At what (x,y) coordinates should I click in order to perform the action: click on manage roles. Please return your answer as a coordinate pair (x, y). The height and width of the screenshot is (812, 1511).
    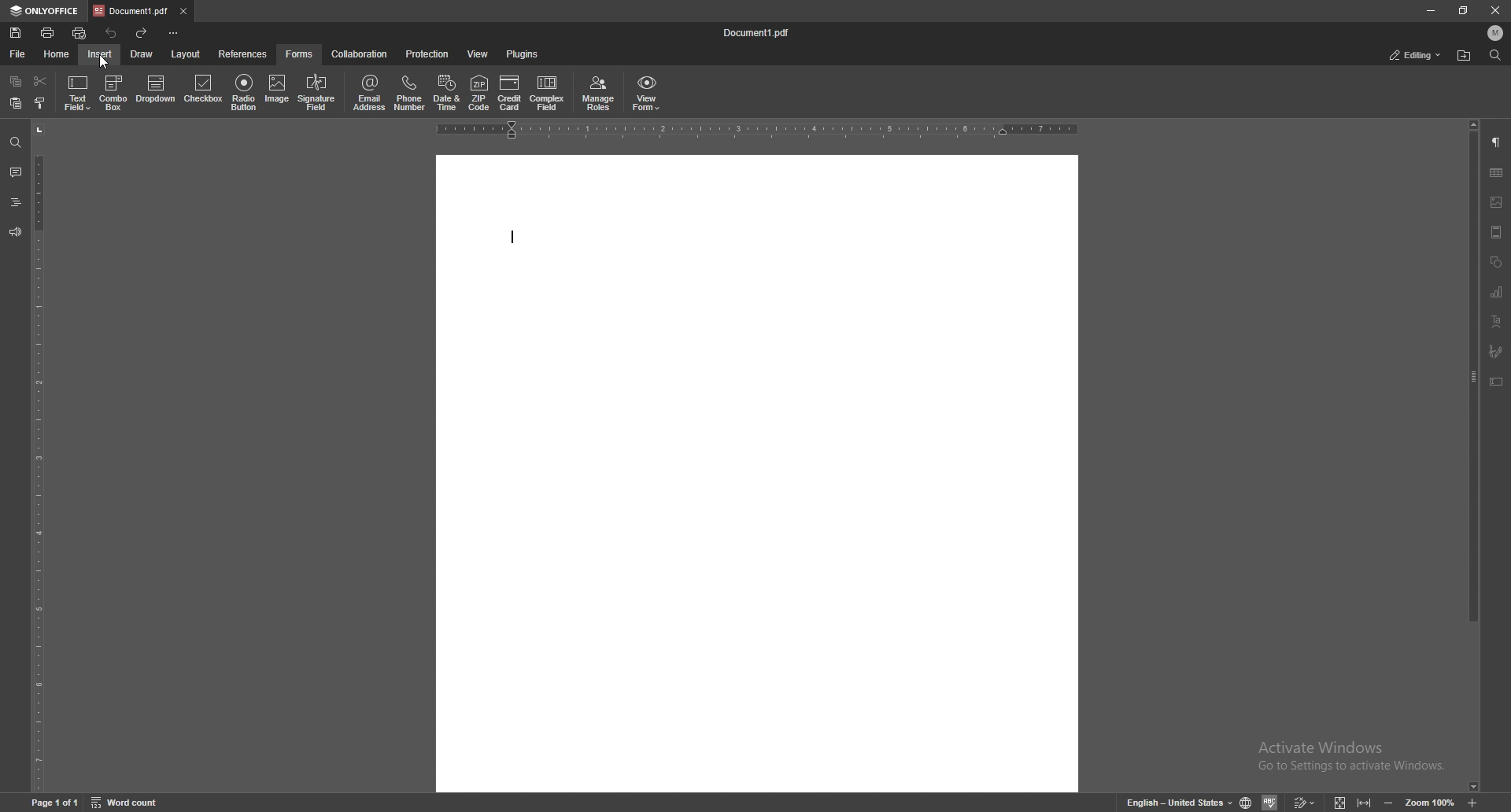
    Looking at the image, I should click on (600, 94).